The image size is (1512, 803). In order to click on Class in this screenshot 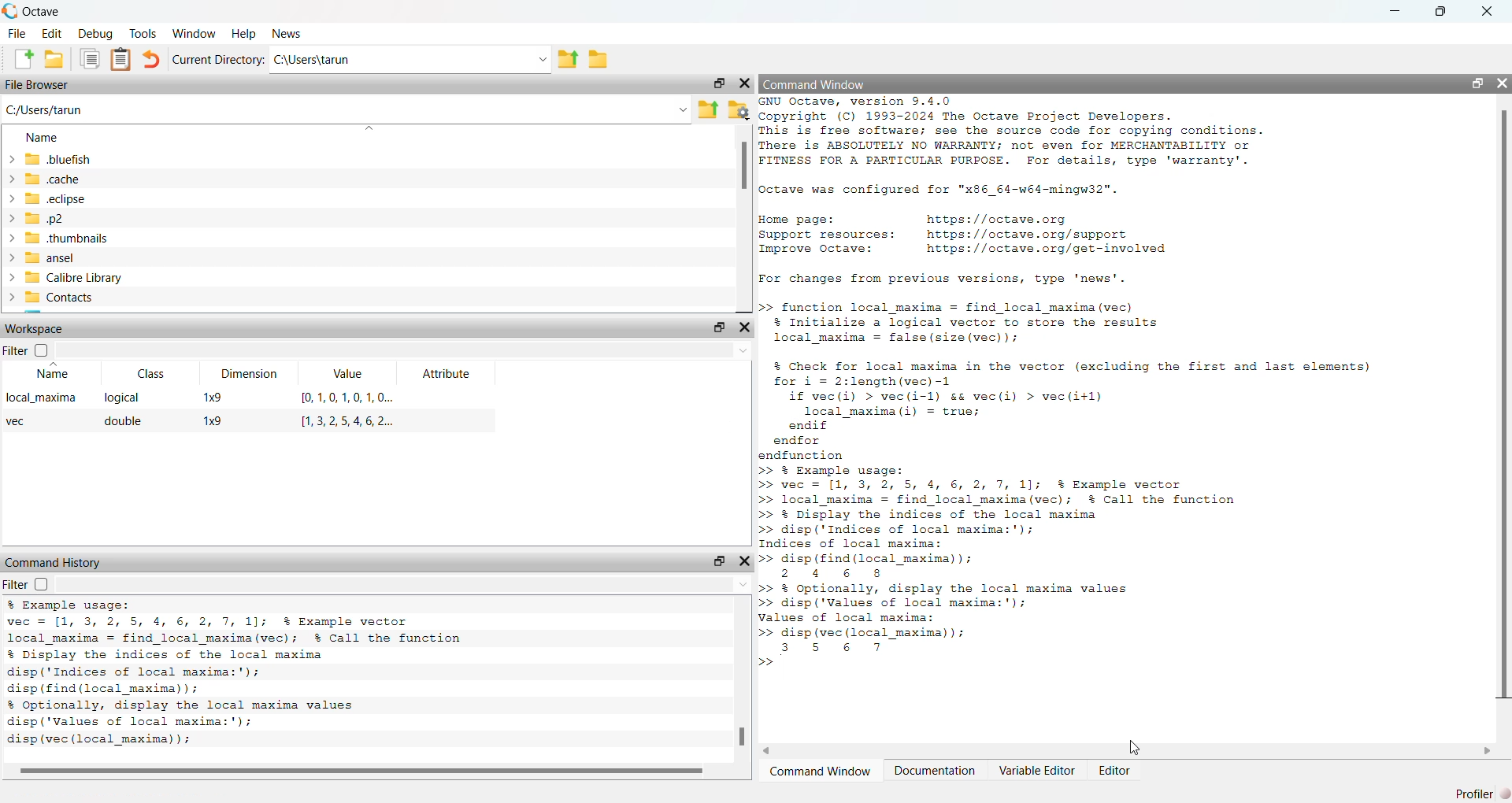, I will do `click(150, 373)`.